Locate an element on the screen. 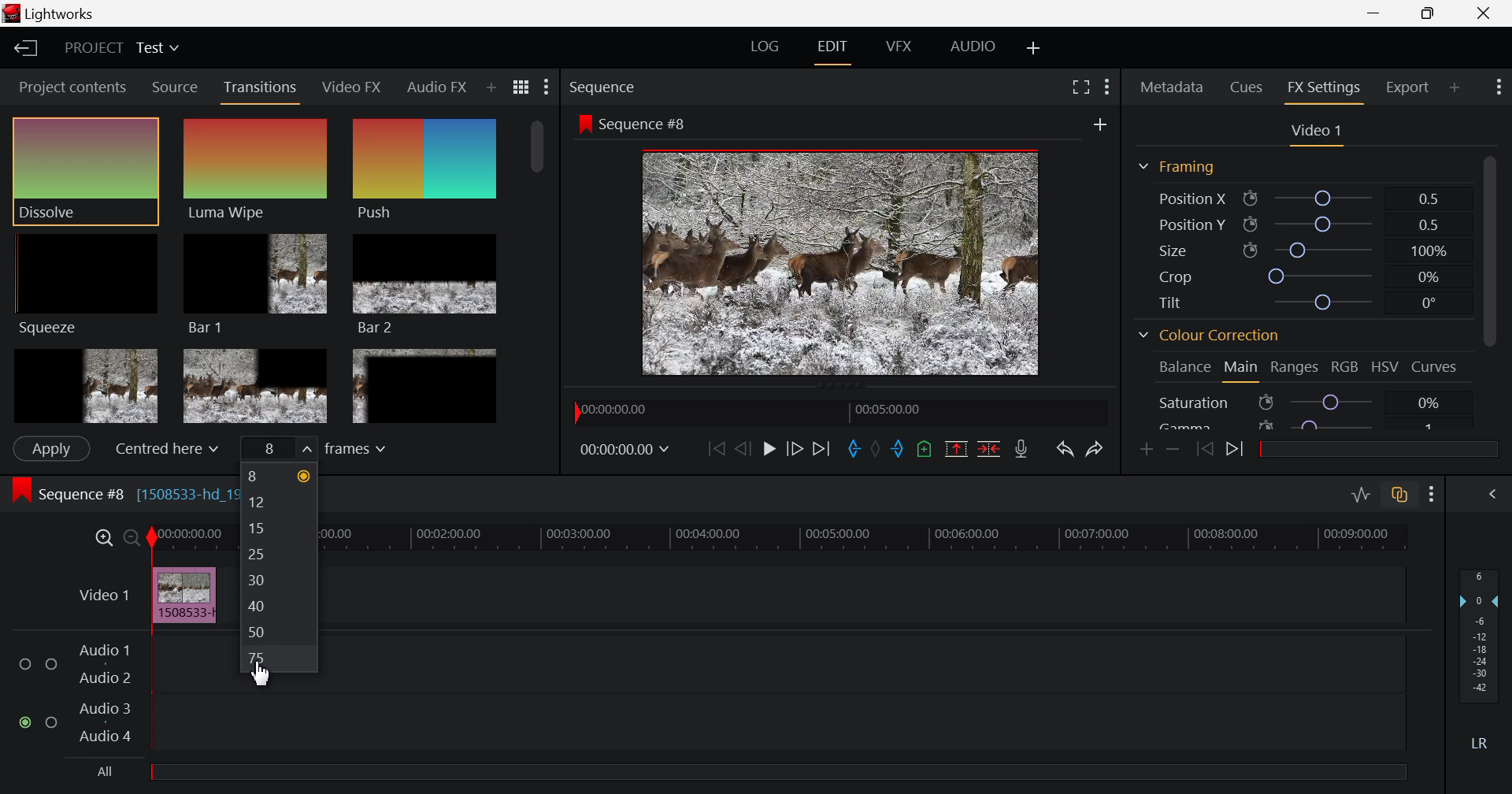  Video Settings is located at coordinates (1317, 135).